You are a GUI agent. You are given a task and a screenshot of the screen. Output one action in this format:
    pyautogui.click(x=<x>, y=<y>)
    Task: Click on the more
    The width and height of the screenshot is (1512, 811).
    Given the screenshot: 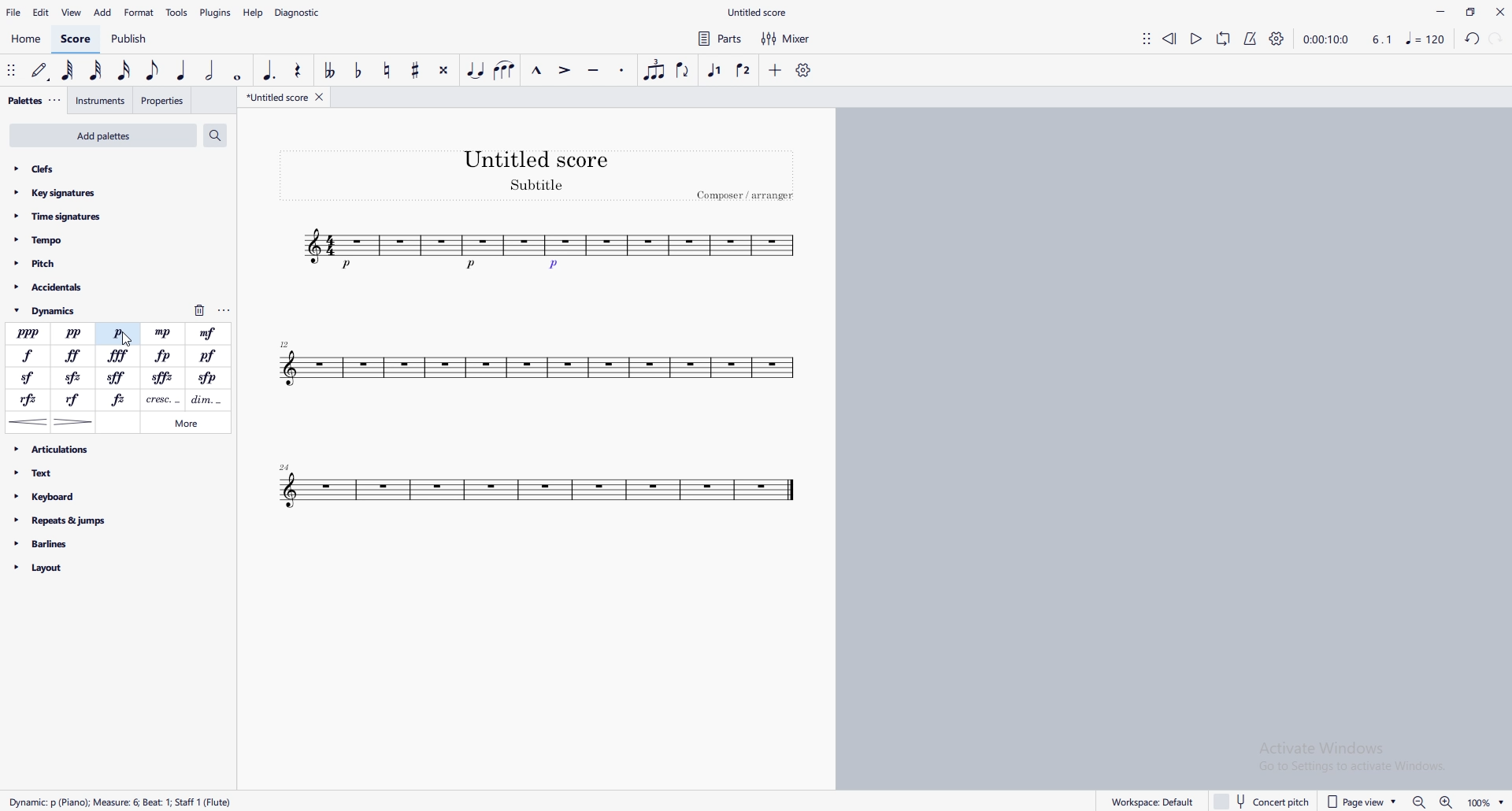 What is the action you would take?
    pyautogui.click(x=187, y=423)
    